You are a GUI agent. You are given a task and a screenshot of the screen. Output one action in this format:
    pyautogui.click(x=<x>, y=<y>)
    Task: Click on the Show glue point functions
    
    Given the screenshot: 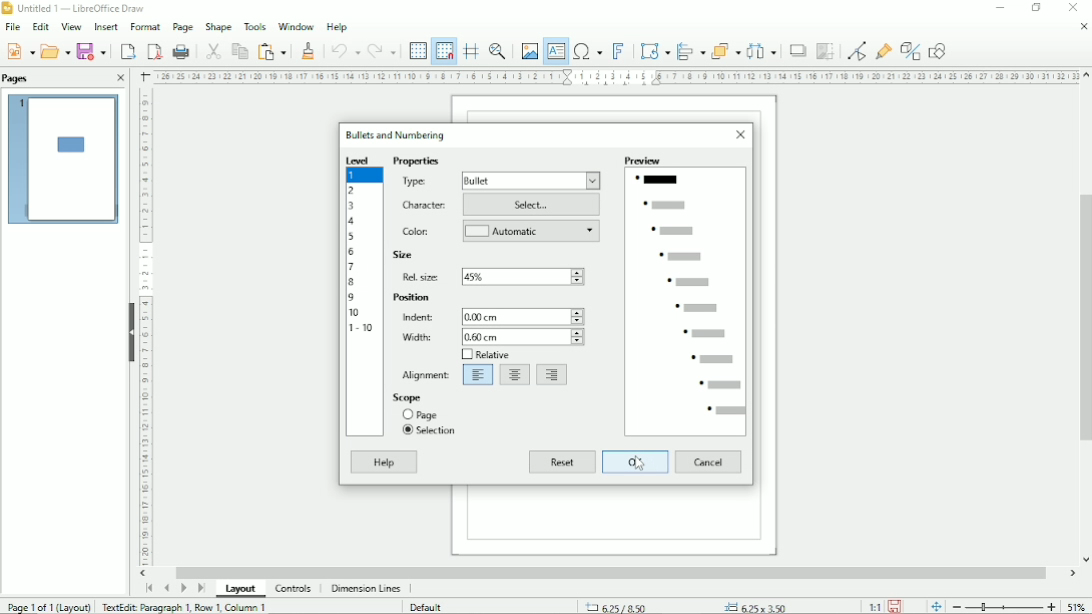 What is the action you would take?
    pyautogui.click(x=885, y=48)
    